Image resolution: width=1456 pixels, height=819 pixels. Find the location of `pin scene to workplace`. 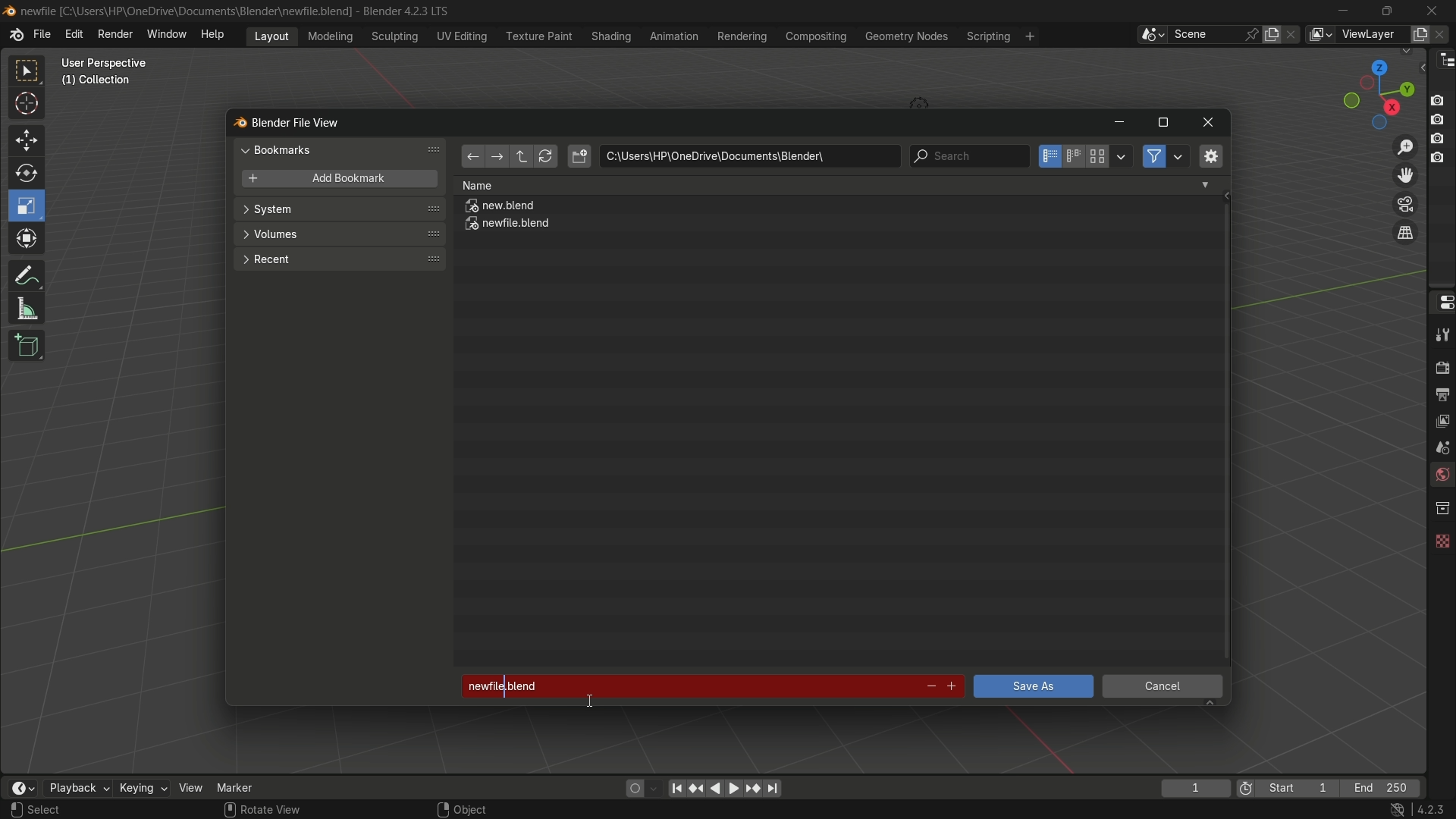

pin scene to workplace is located at coordinates (1254, 34).